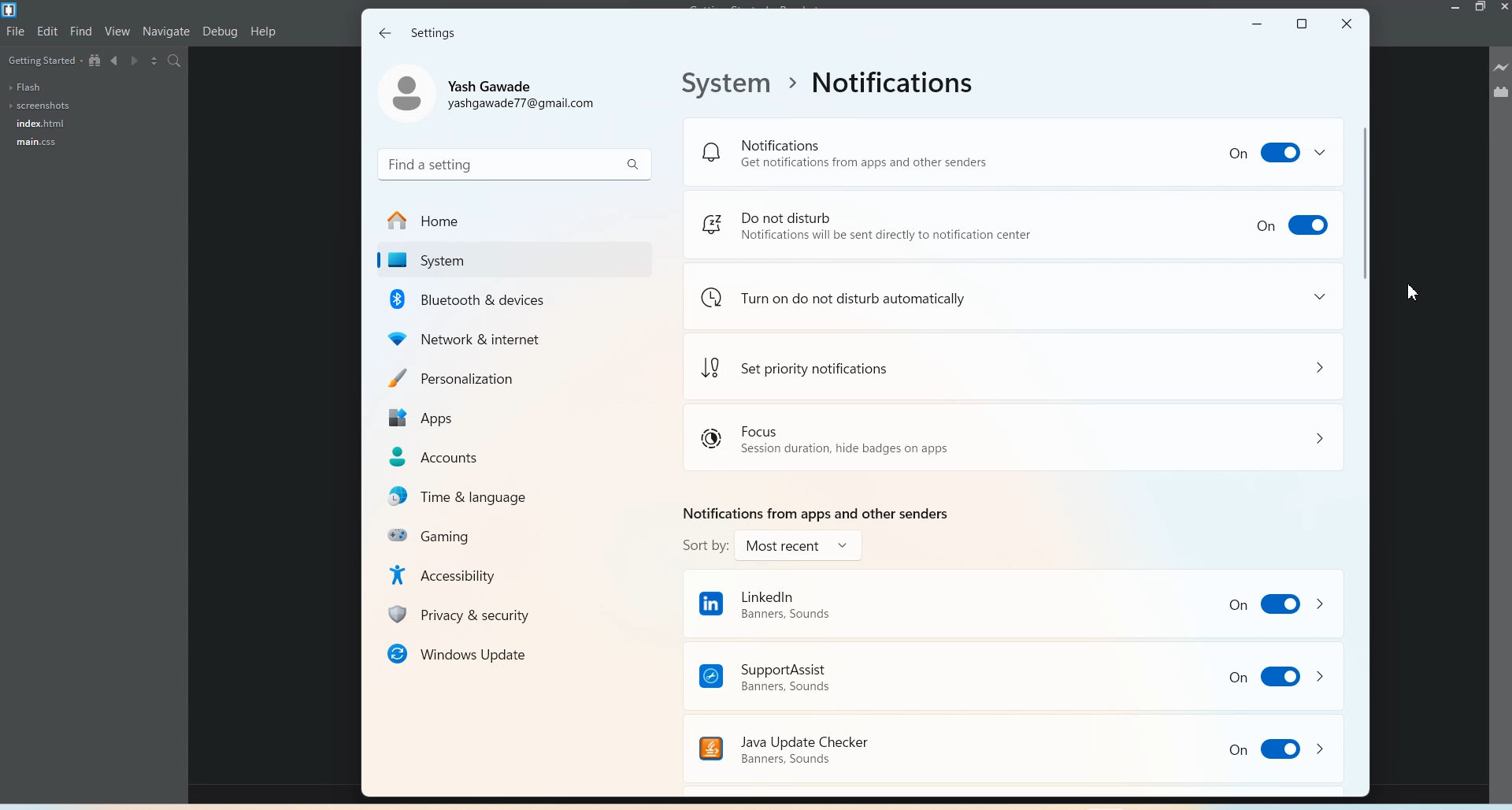 The width and height of the screenshot is (1512, 810). Describe the element at coordinates (772, 546) in the screenshot. I see `sort by` at that location.